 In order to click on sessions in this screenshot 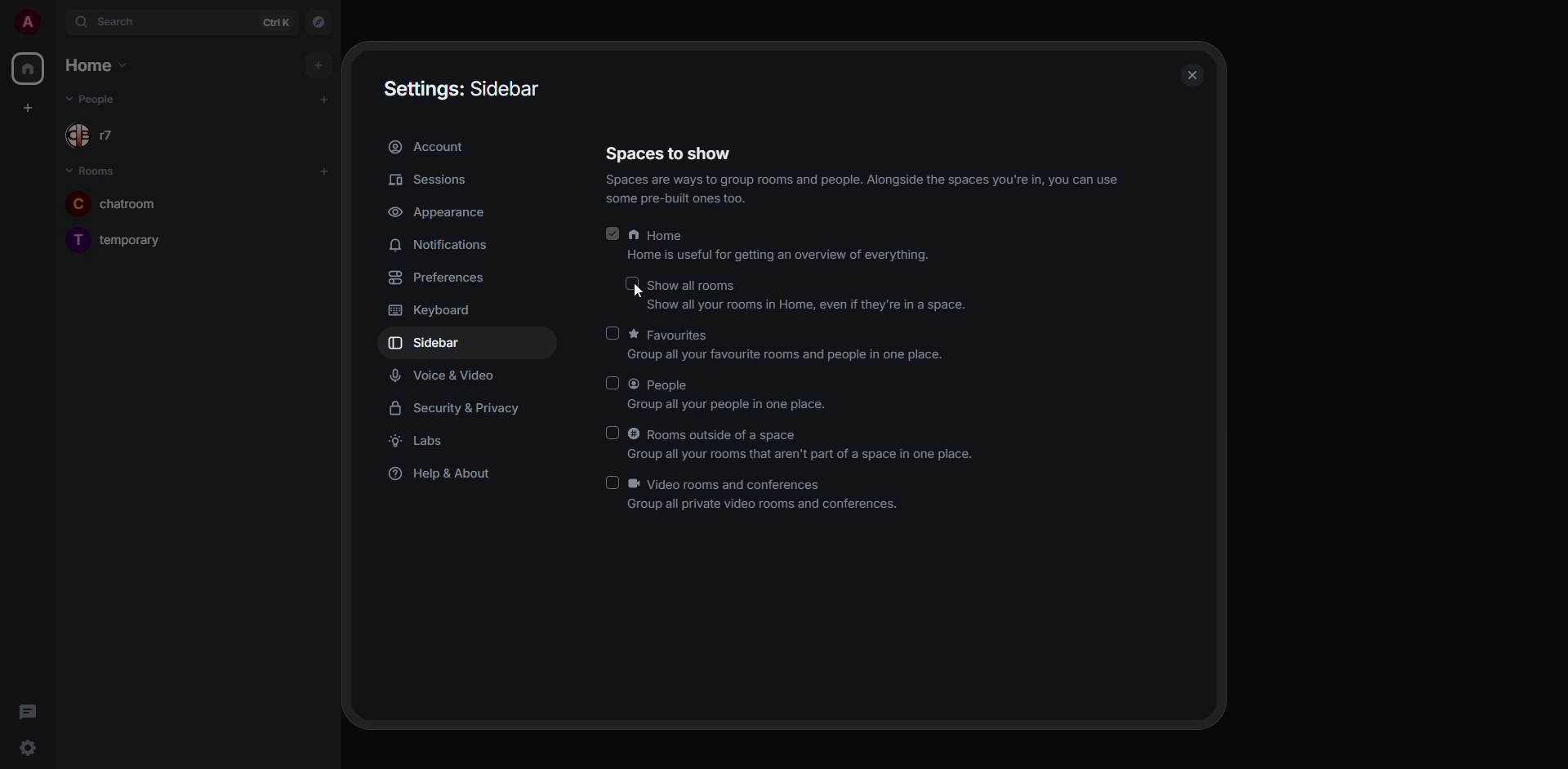, I will do `click(431, 178)`.